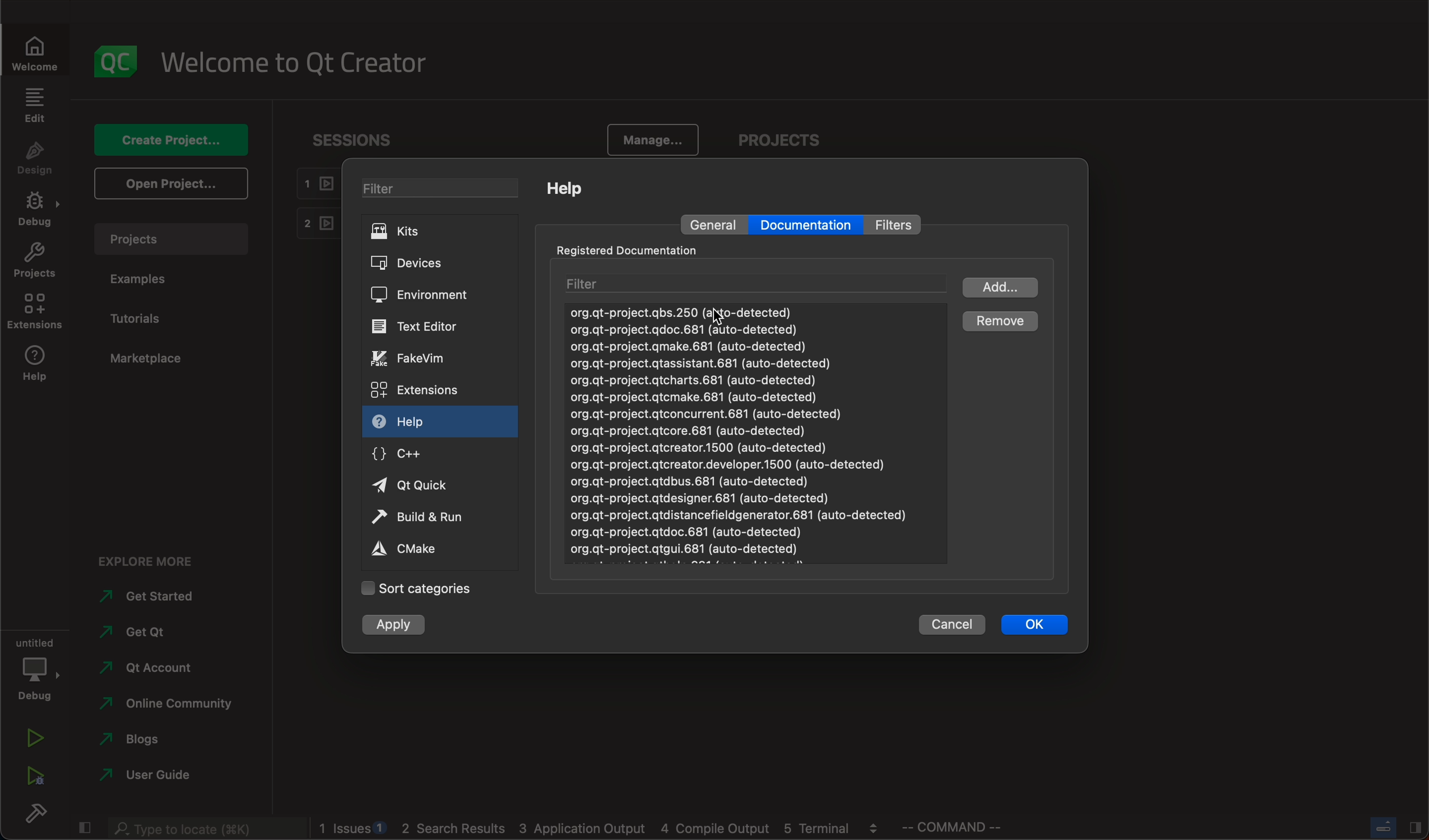  What do you see at coordinates (807, 225) in the screenshot?
I see `documentation` at bounding box center [807, 225].